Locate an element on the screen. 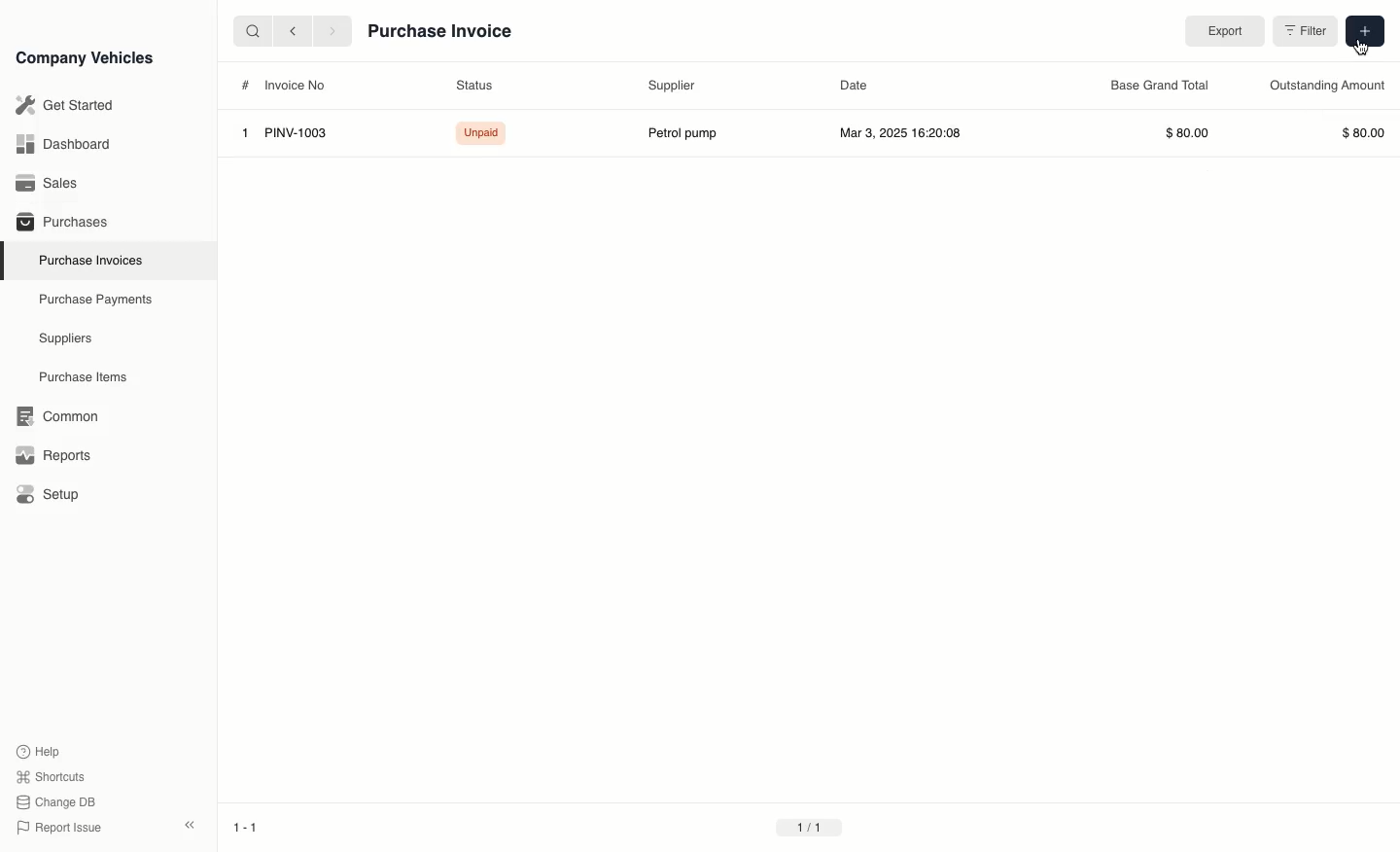  Suppliers is located at coordinates (64, 339).